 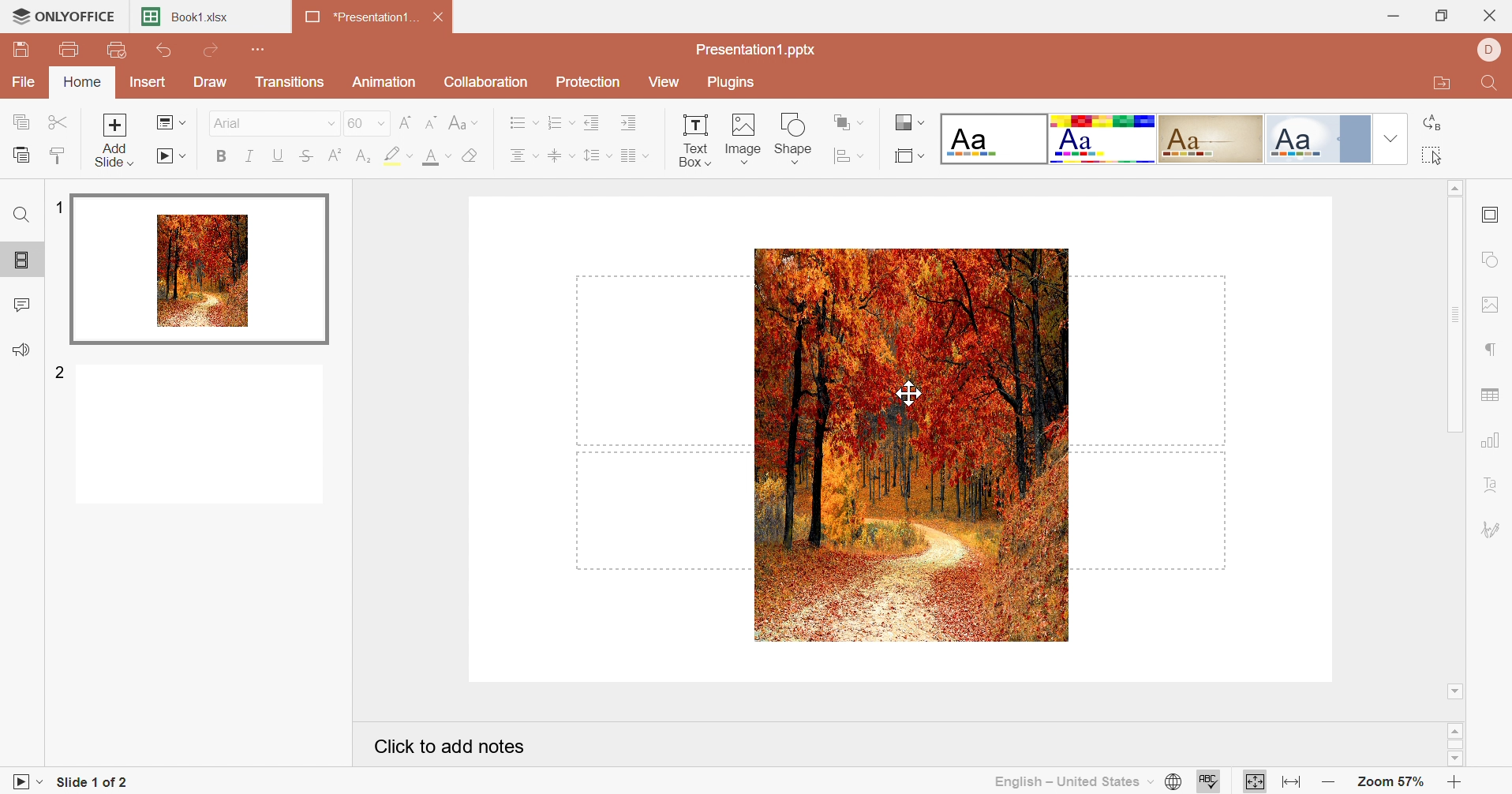 What do you see at coordinates (1438, 86) in the screenshot?
I see `Open file location` at bounding box center [1438, 86].